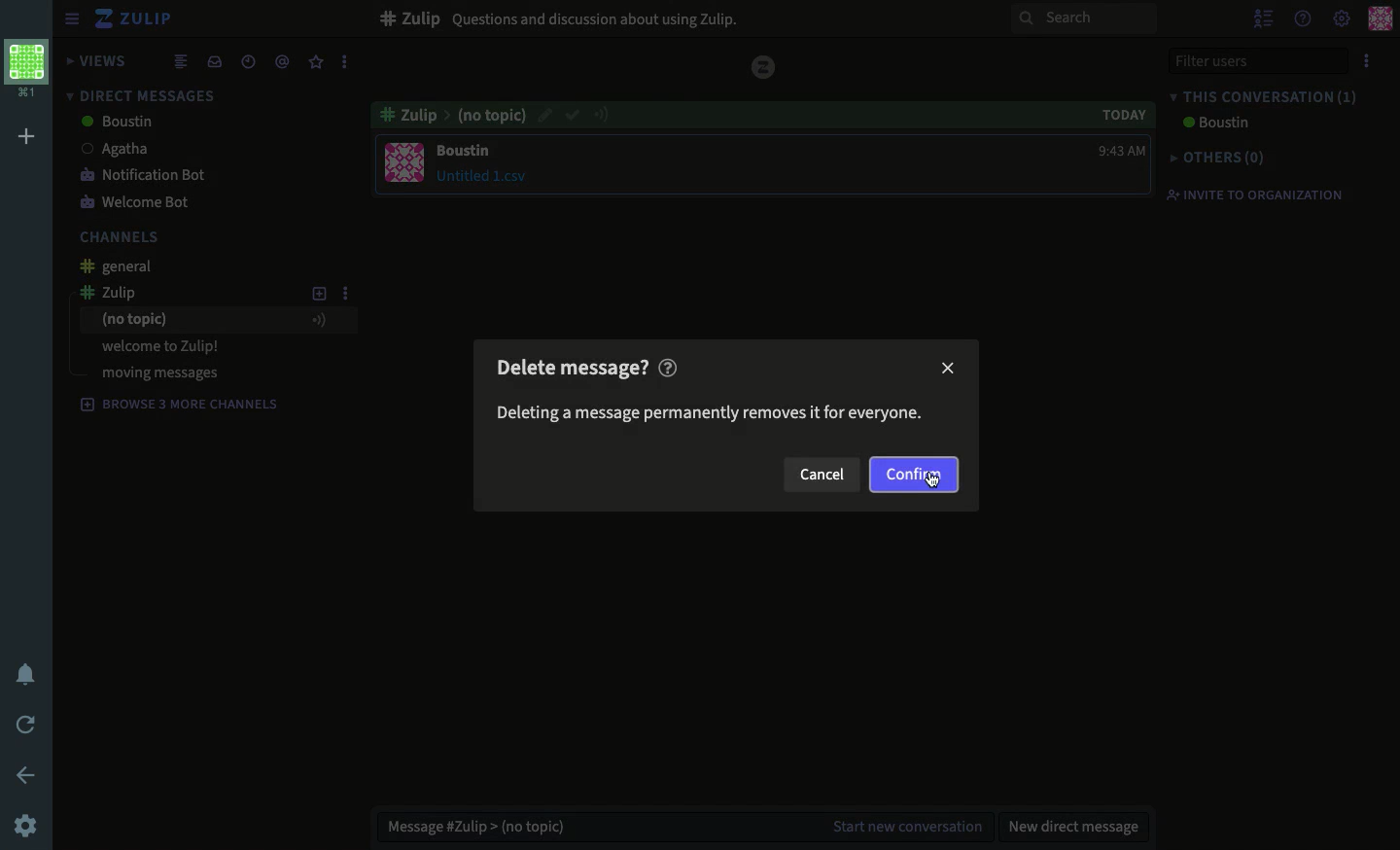  I want to click on zulip, so click(765, 64).